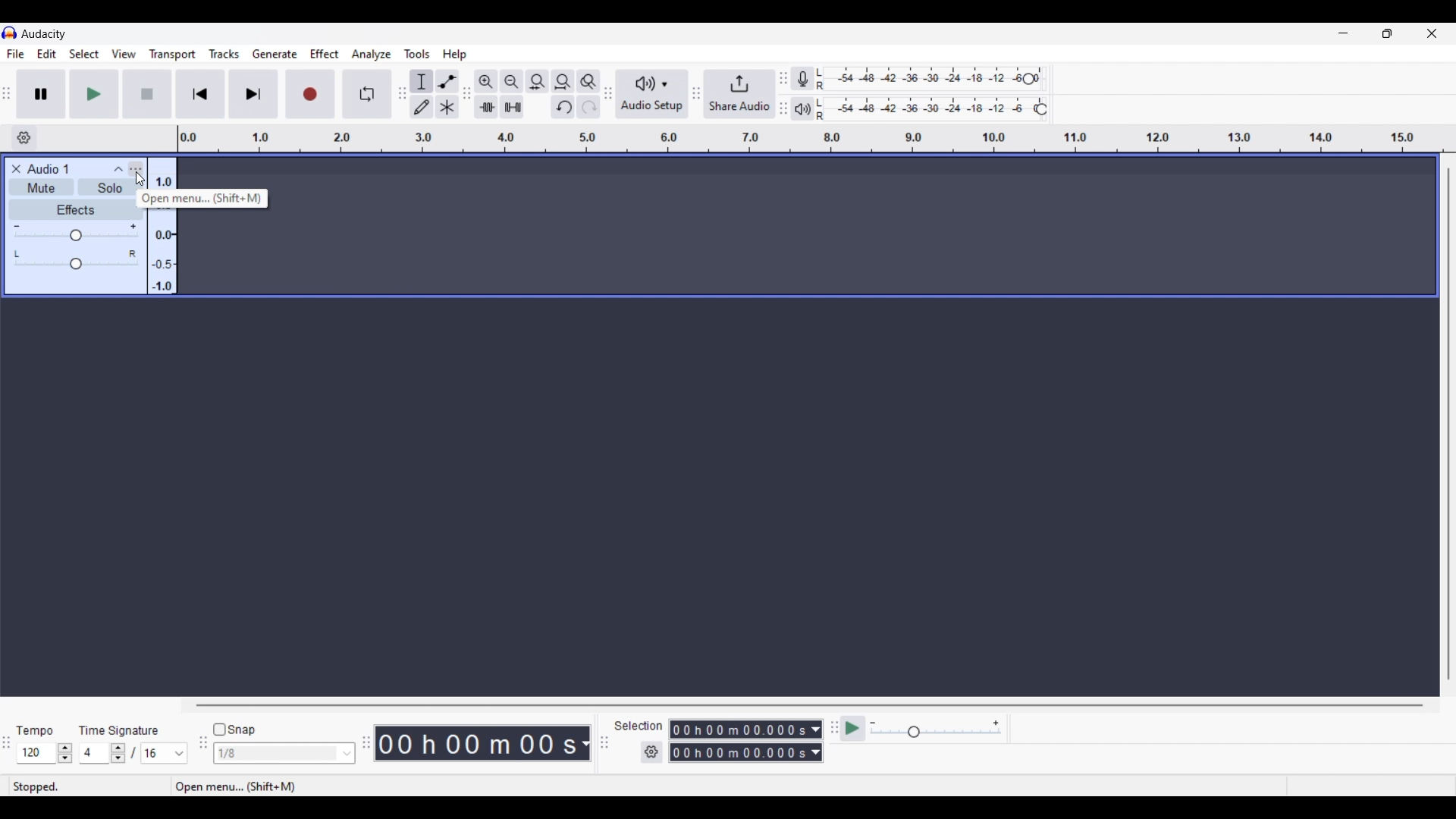 The width and height of the screenshot is (1456, 819). What do you see at coordinates (368, 94) in the screenshot?
I see `Enable looping` at bounding box center [368, 94].